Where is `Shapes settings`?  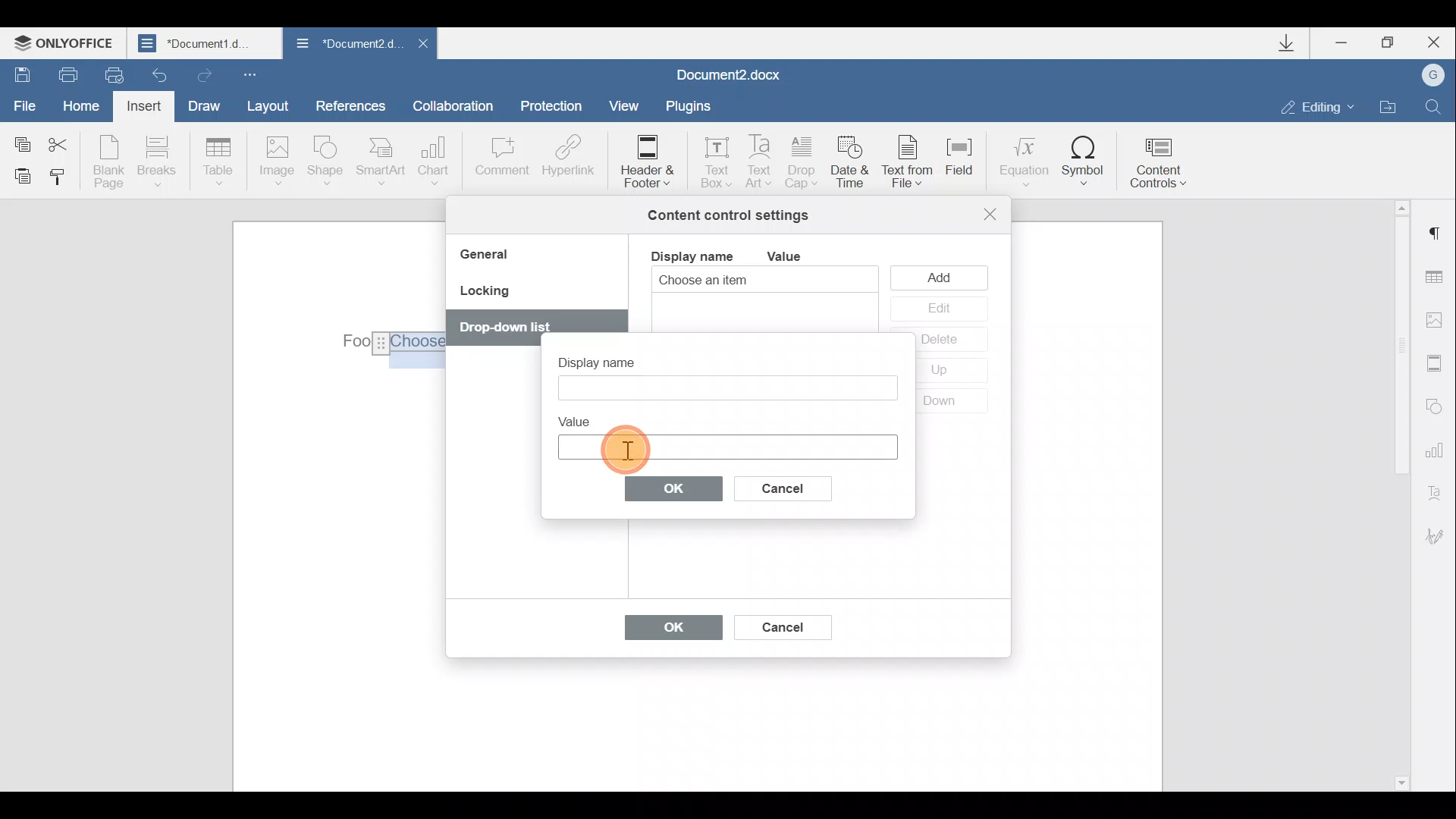
Shapes settings is located at coordinates (1435, 404).